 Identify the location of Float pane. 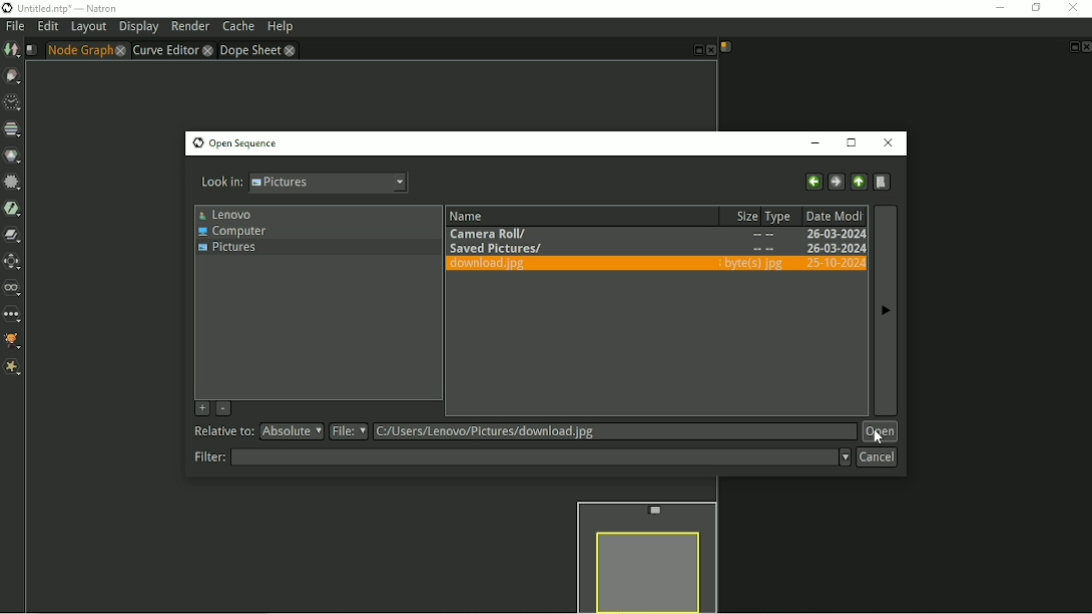
(694, 51).